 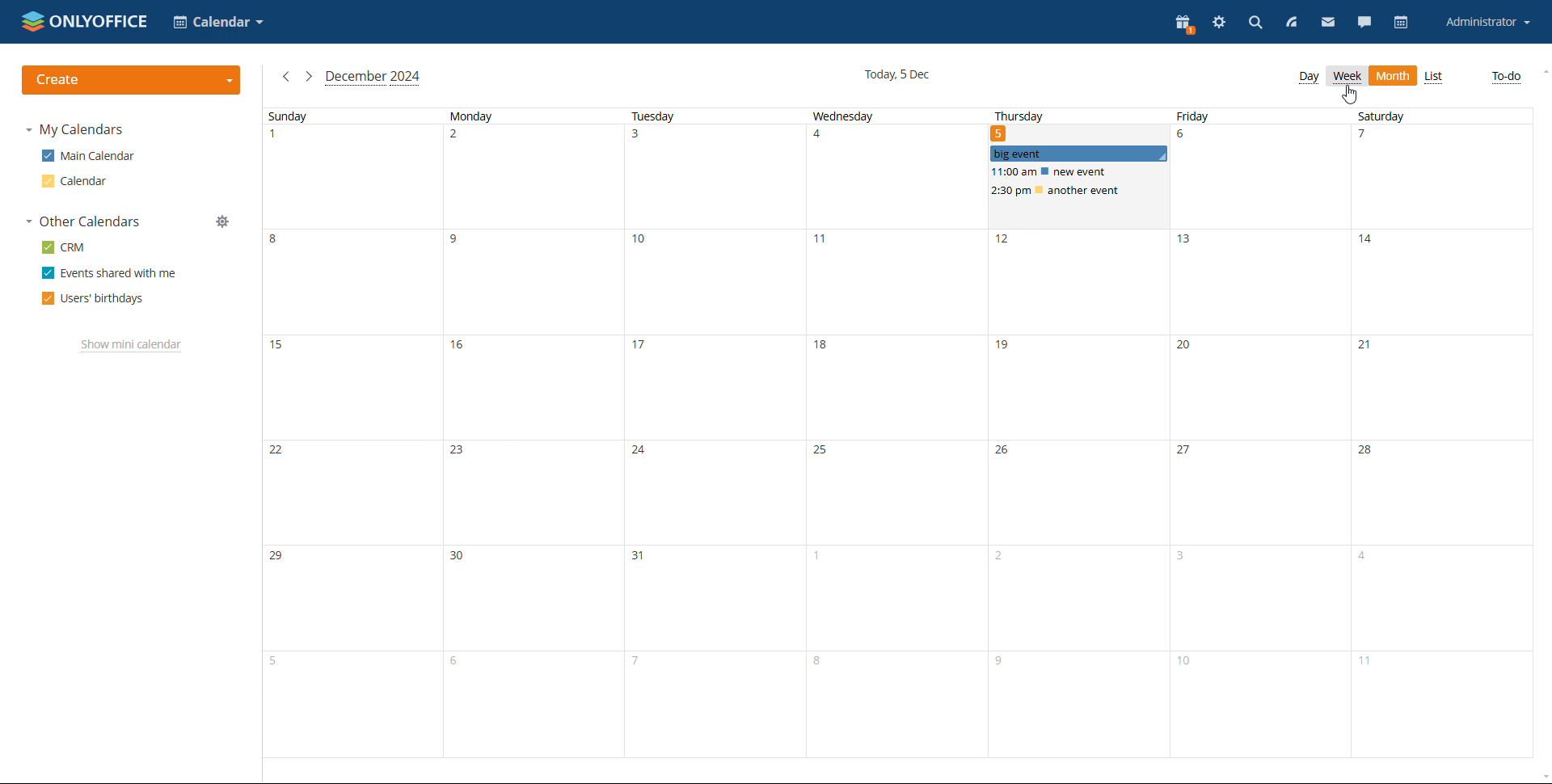 I want to click on saturday, so click(x=1430, y=434).